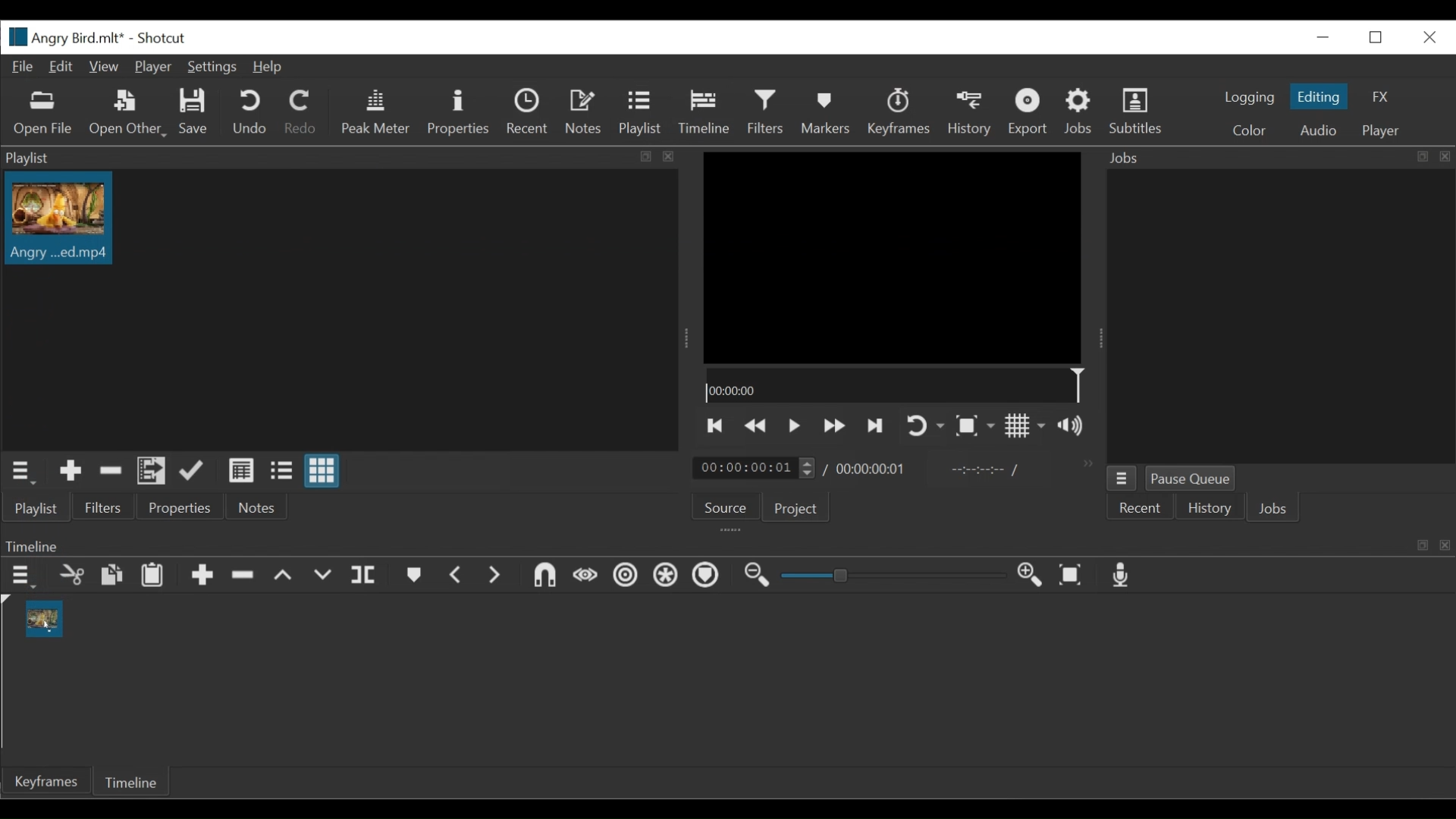  Describe the element at coordinates (64, 37) in the screenshot. I see `File name` at that location.